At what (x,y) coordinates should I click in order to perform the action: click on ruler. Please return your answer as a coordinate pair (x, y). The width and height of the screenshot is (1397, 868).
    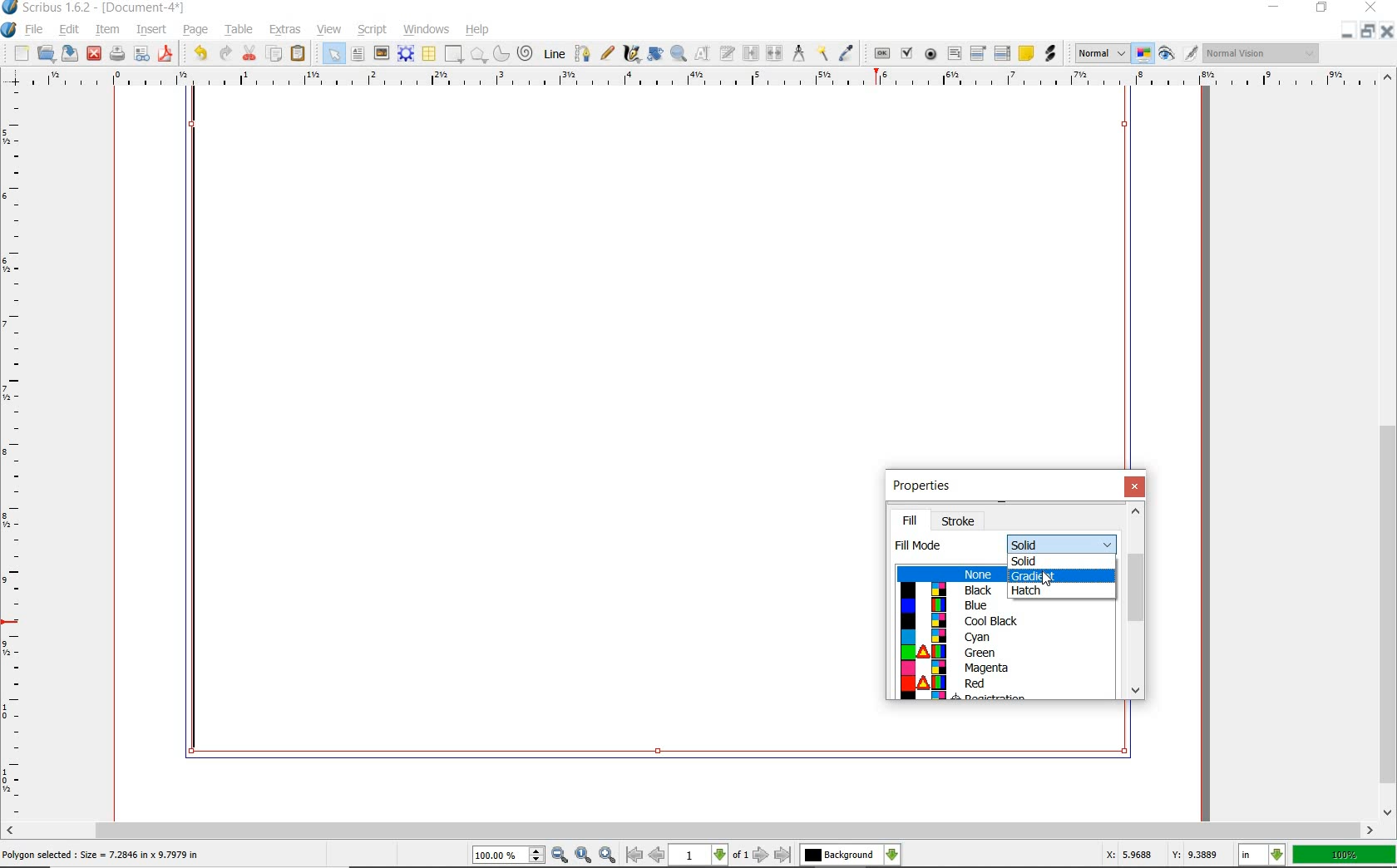
    Looking at the image, I should click on (701, 79).